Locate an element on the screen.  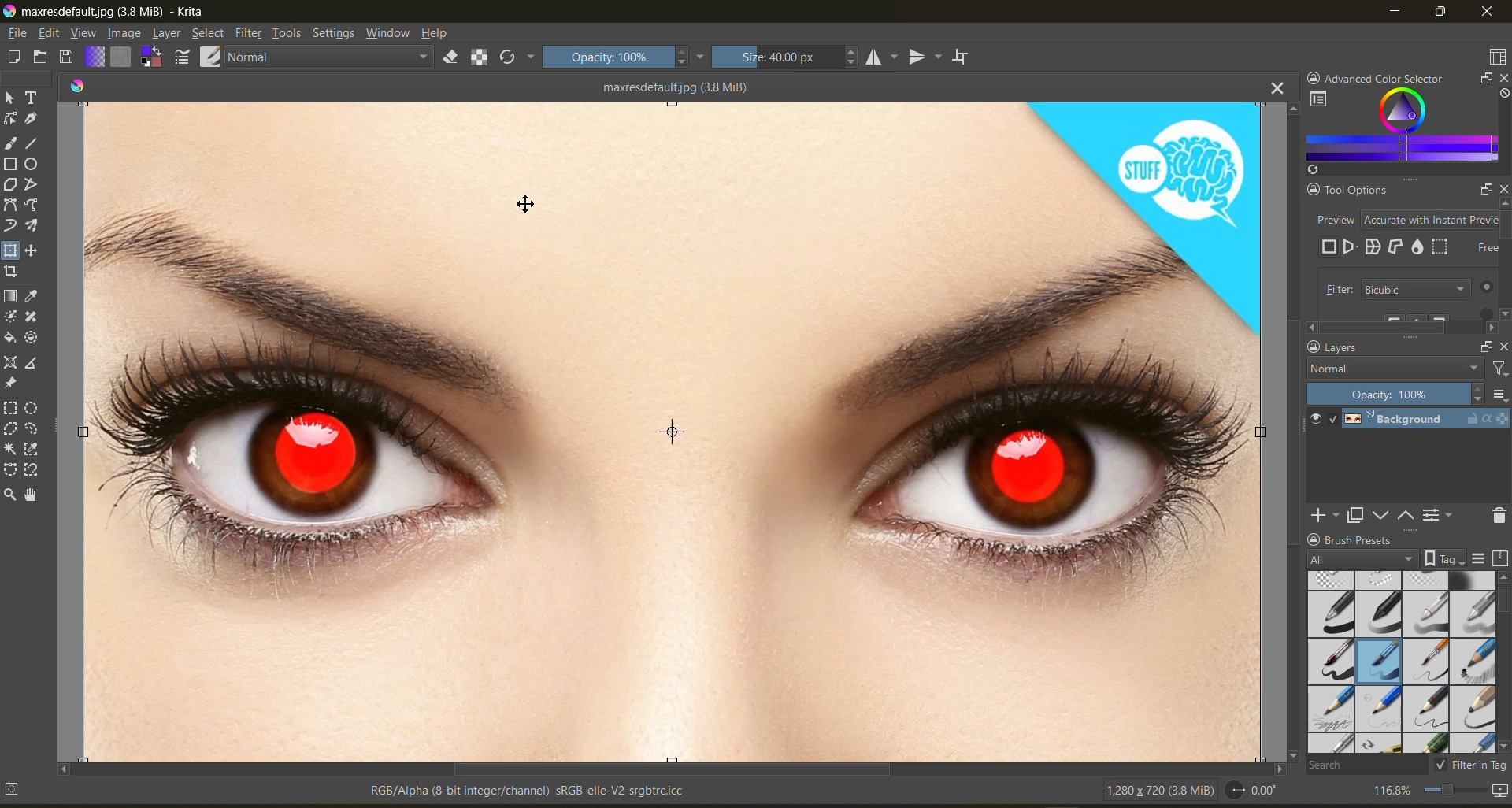
normal is located at coordinates (335, 59).